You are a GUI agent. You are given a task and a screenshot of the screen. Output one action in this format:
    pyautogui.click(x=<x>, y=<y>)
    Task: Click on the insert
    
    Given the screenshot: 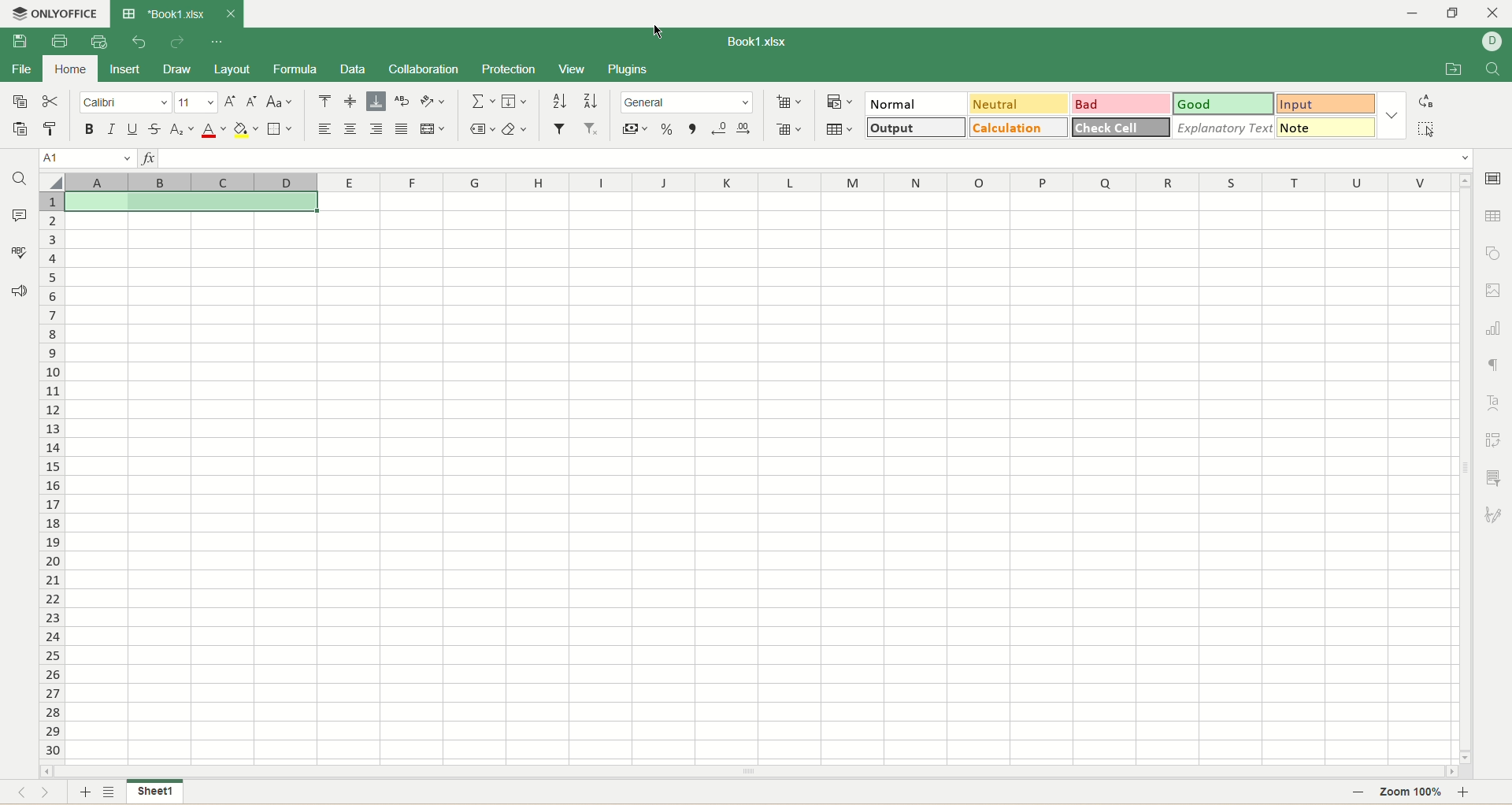 What is the action you would take?
    pyautogui.click(x=124, y=69)
    